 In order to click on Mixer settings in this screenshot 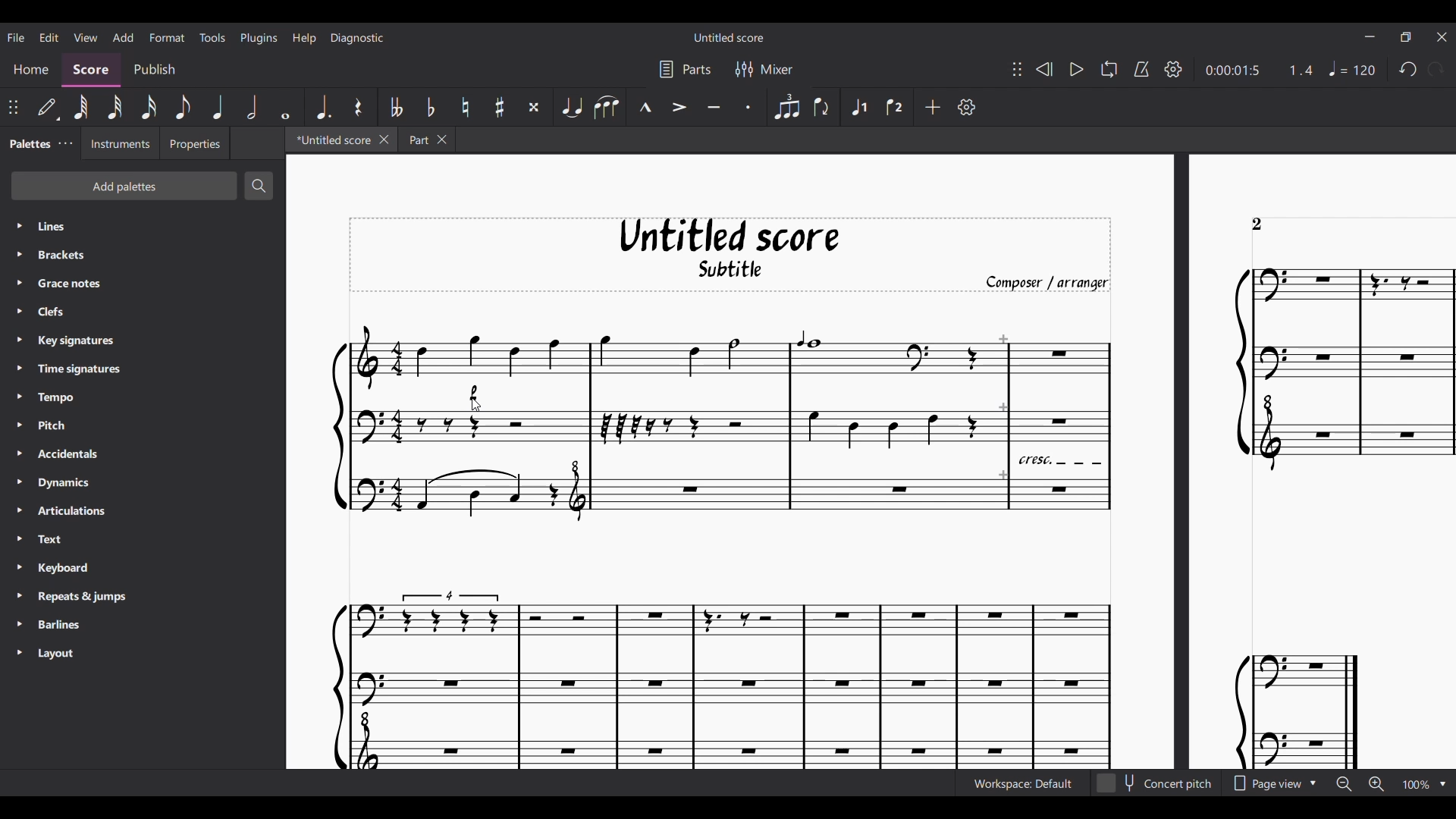, I will do `click(764, 68)`.